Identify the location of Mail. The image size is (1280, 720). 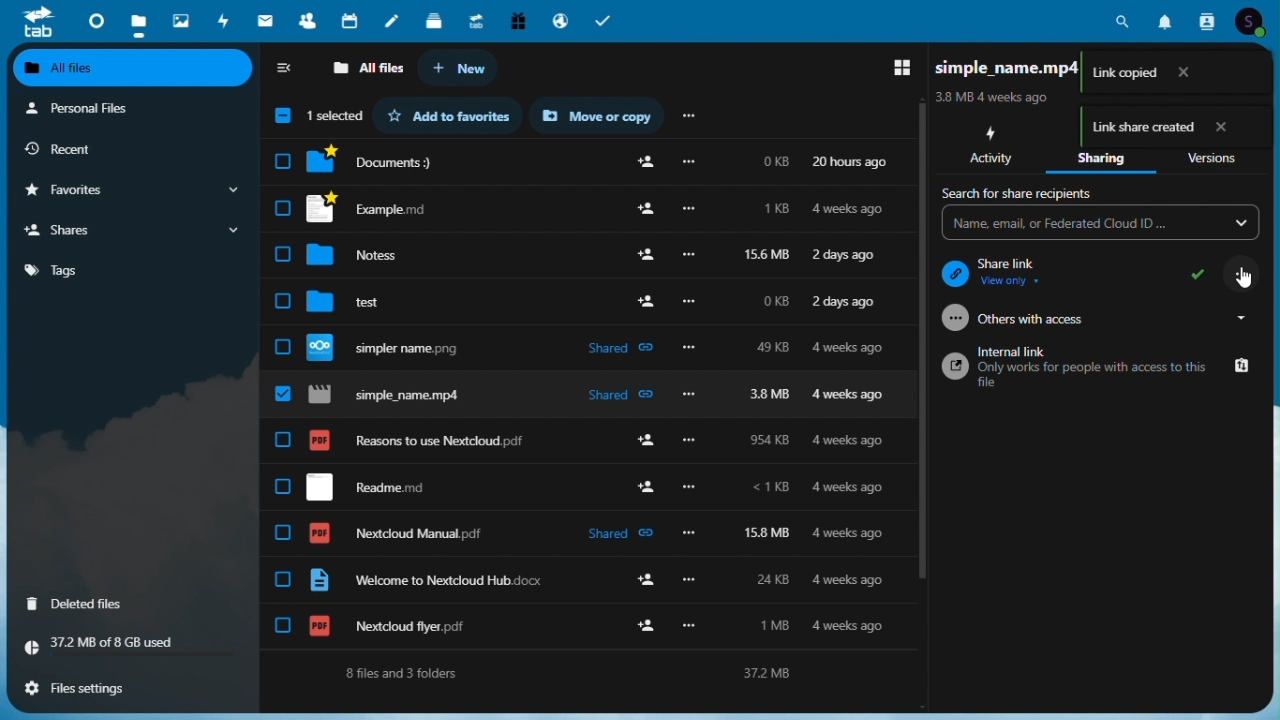
(267, 20).